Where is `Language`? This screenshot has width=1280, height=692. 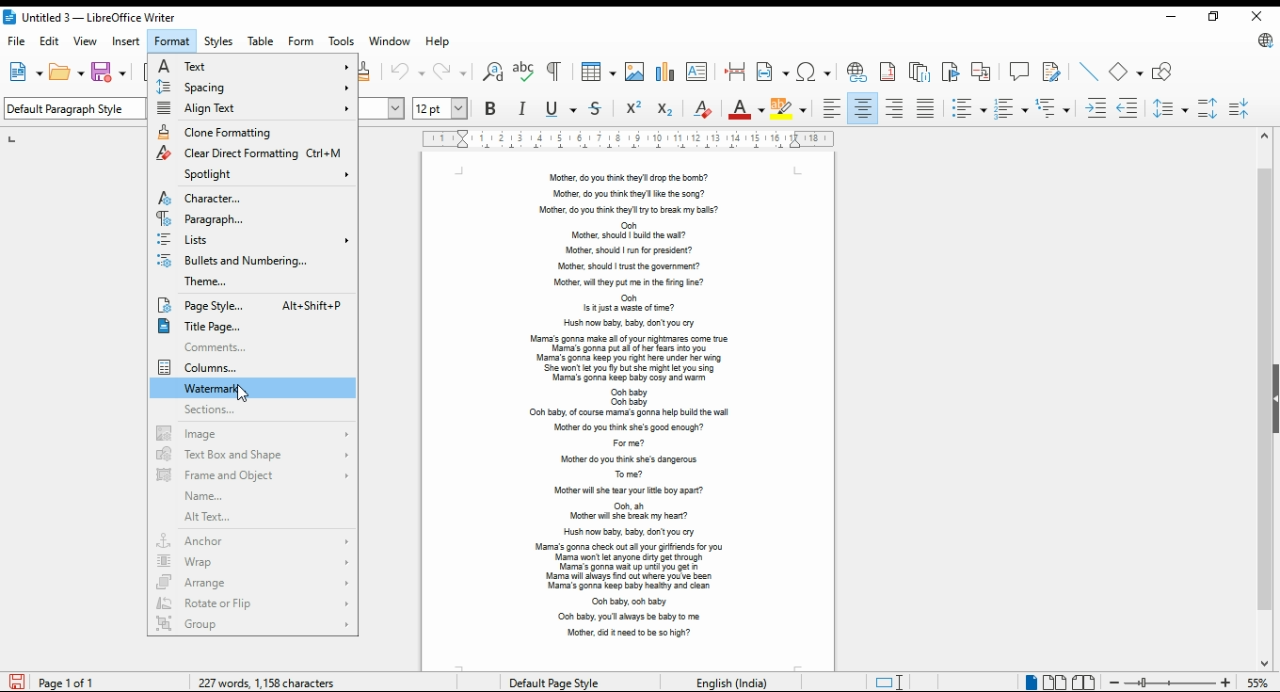
Language is located at coordinates (726, 682).